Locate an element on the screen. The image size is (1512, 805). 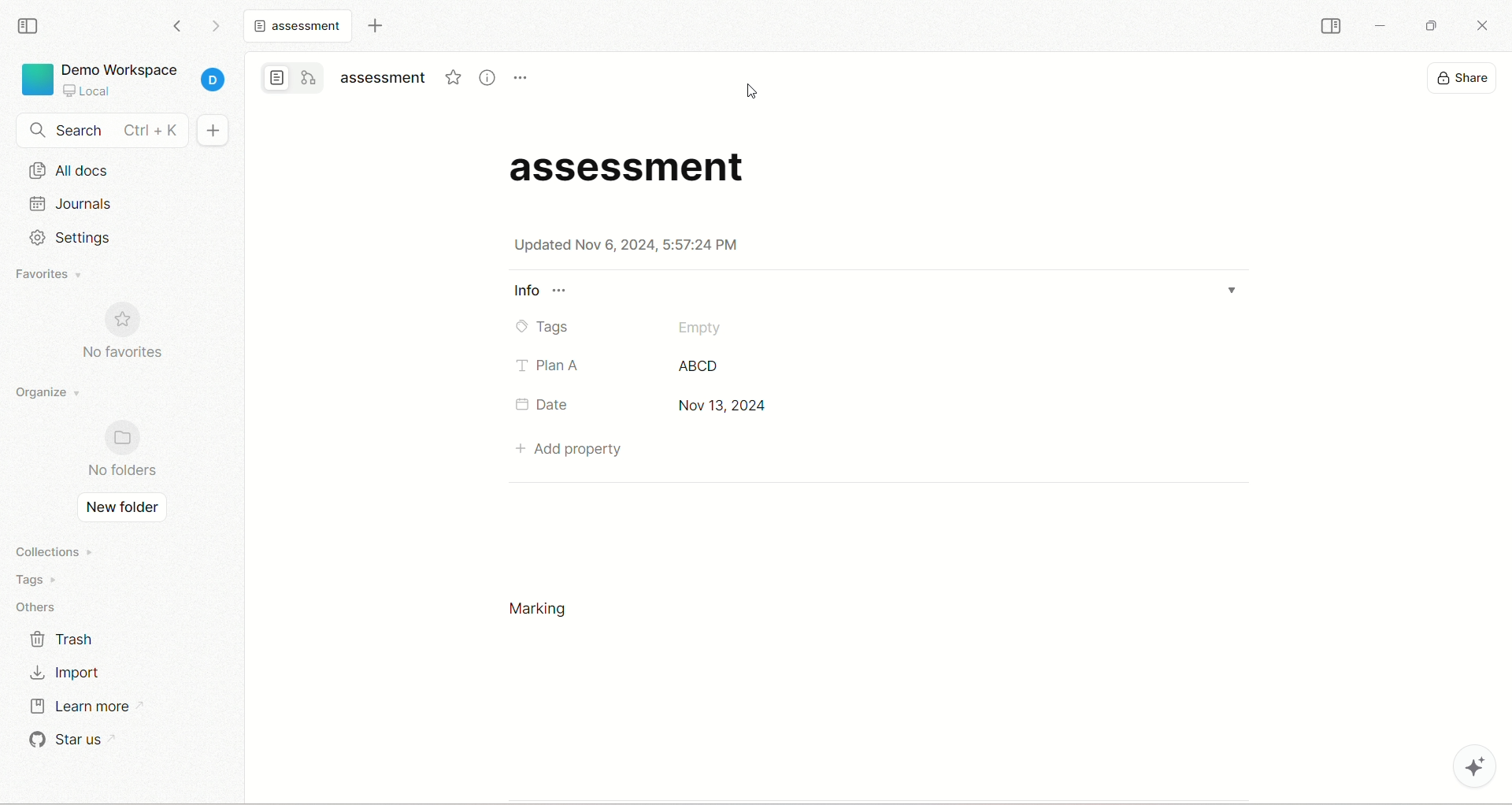
new tab is located at coordinates (375, 28).